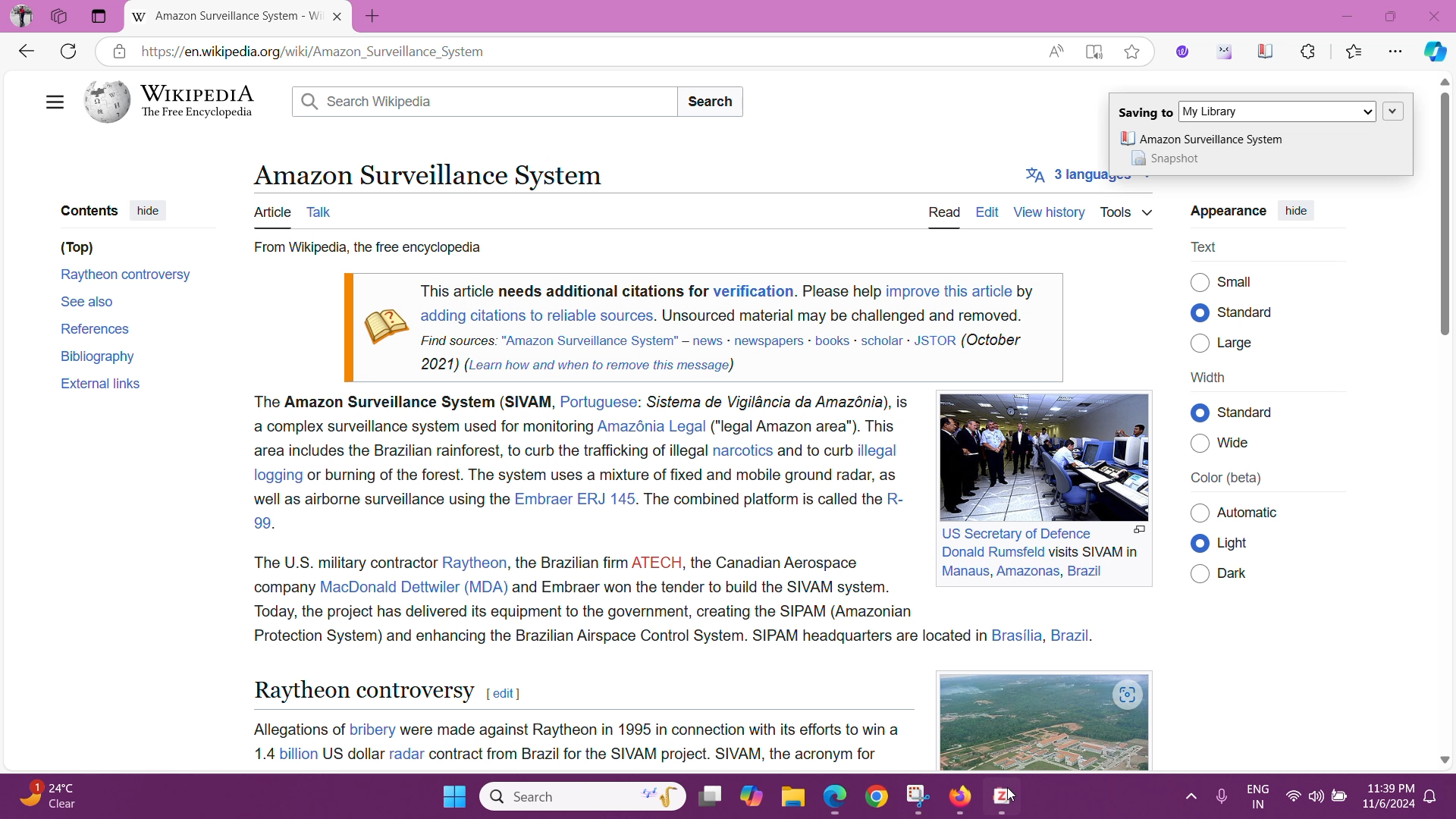  I want to click on Webpage URL - https://en.wikipedia.org/wiki/Amazon_Surveillance_System, so click(585, 51).